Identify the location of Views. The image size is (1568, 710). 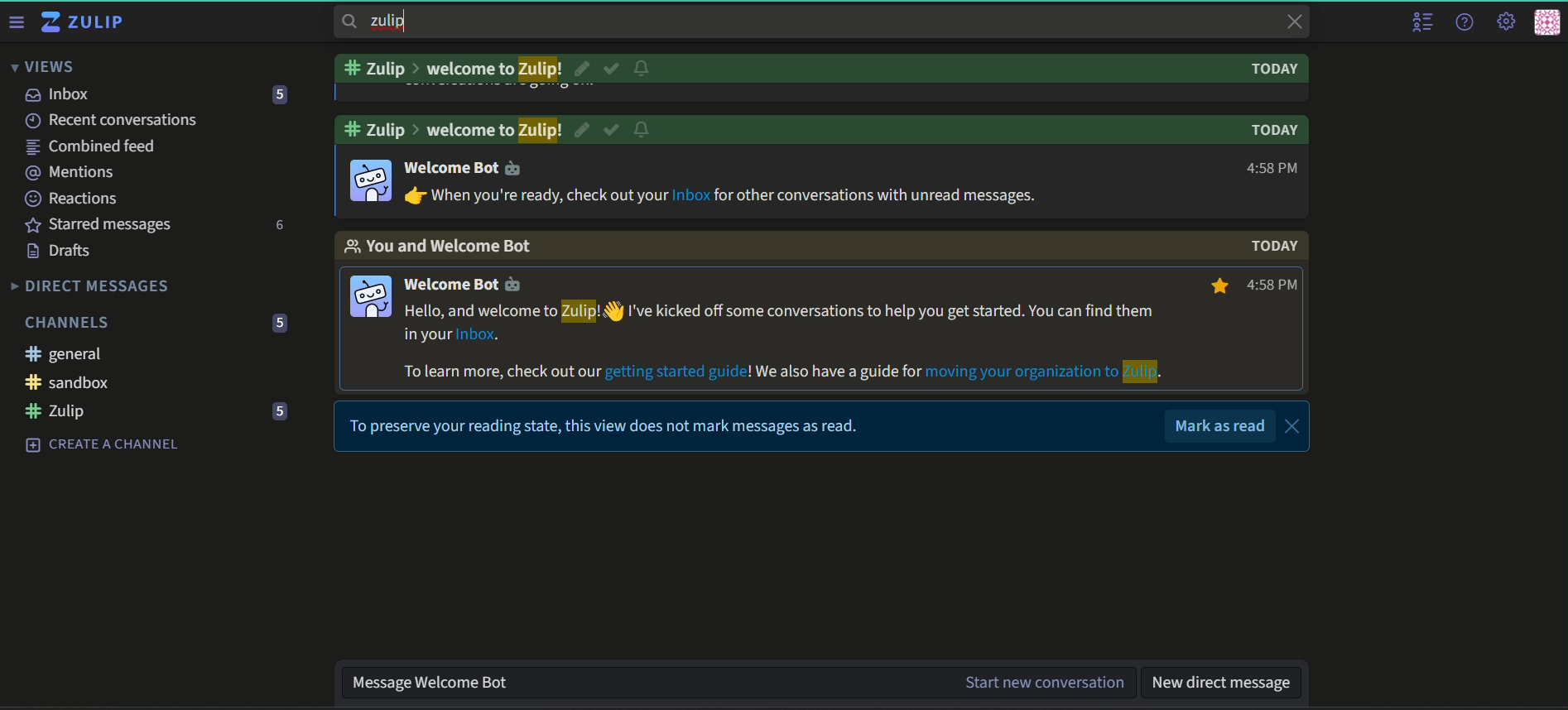
(41, 66).